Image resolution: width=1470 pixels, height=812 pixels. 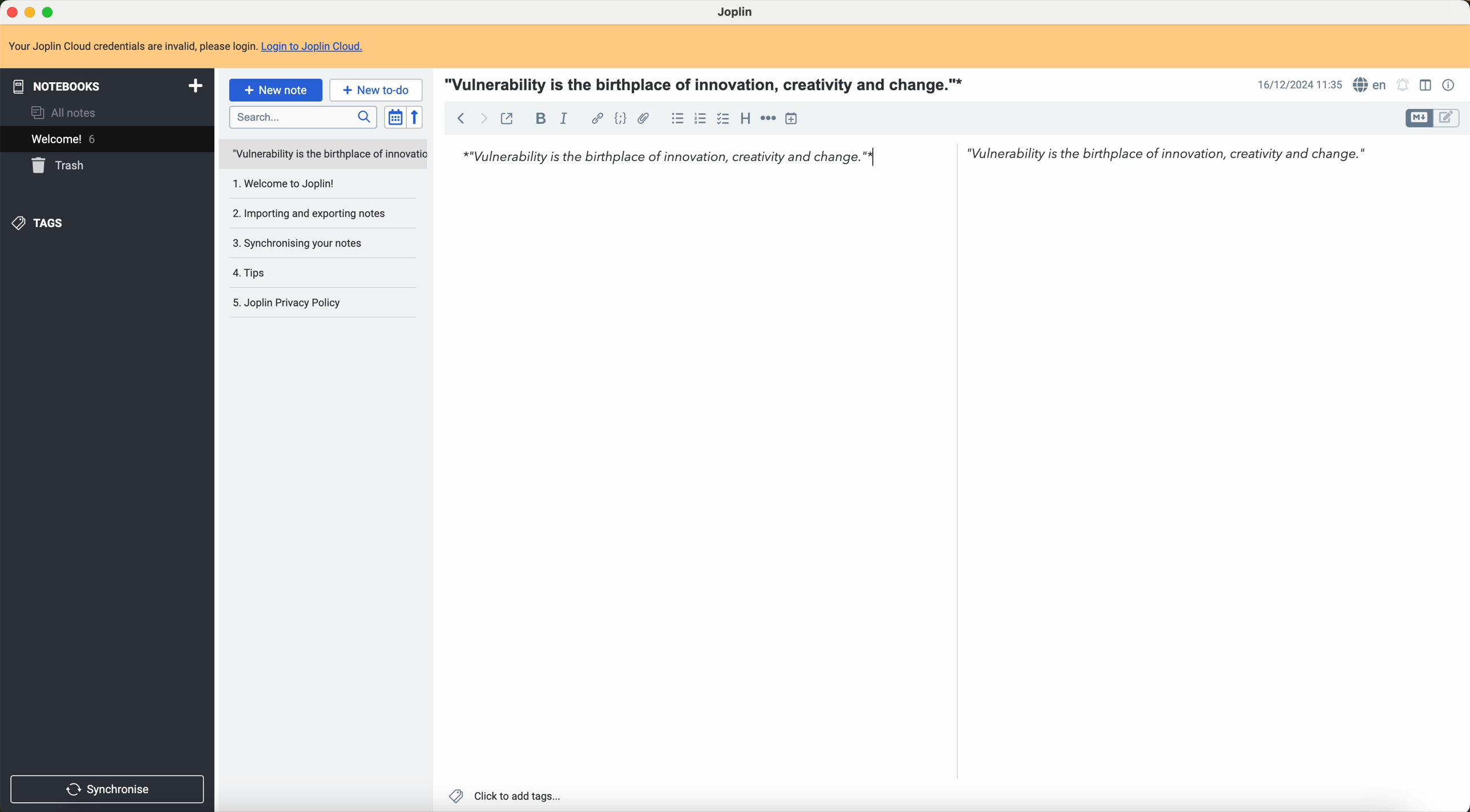 What do you see at coordinates (538, 118) in the screenshot?
I see `bold` at bounding box center [538, 118].